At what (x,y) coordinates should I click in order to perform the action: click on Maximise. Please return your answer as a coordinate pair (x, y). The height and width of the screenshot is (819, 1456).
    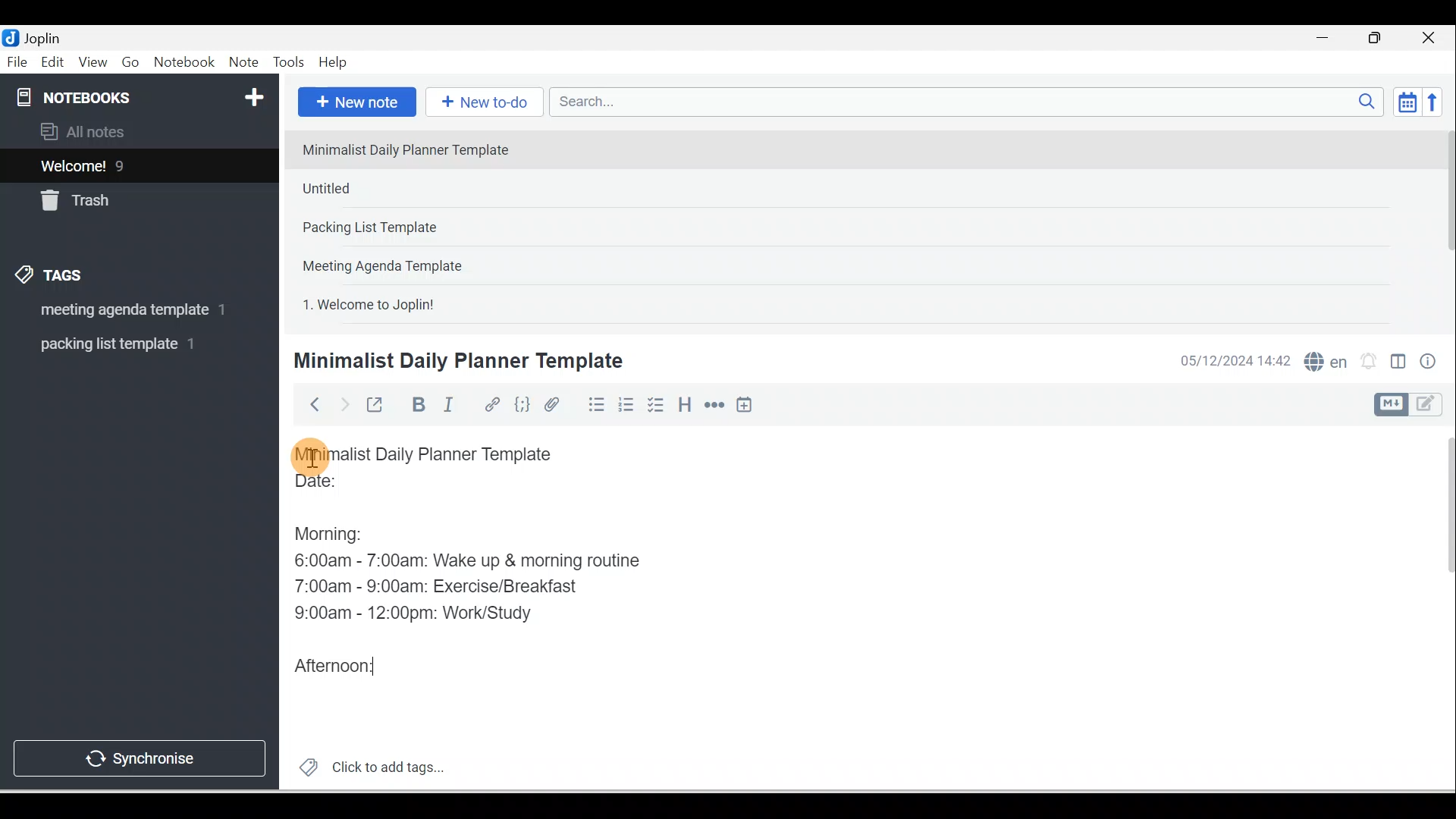
    Looking at the image, I should click on (1380, 39).